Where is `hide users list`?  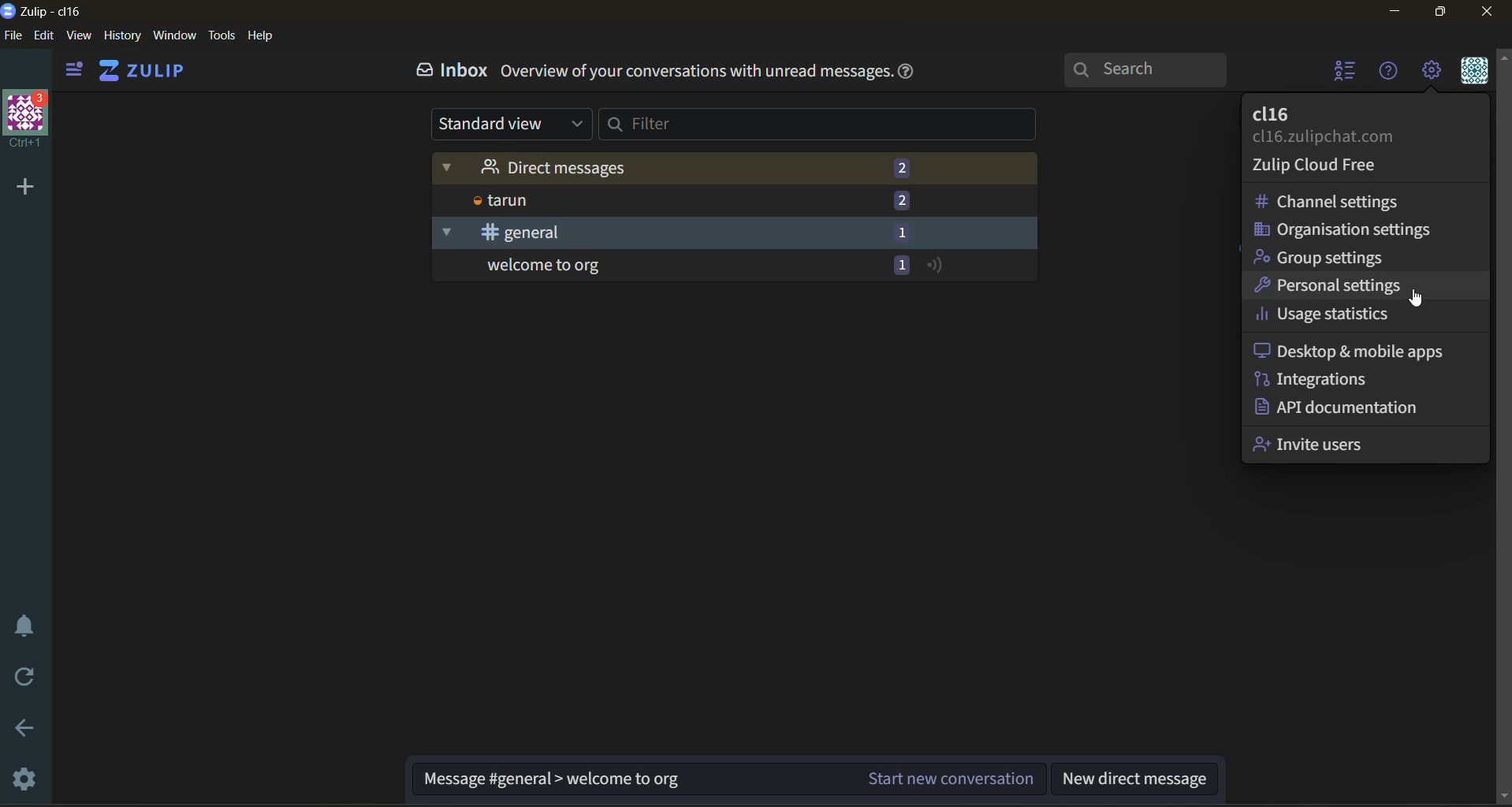 hide users list is located at coordinates (1346, 73).